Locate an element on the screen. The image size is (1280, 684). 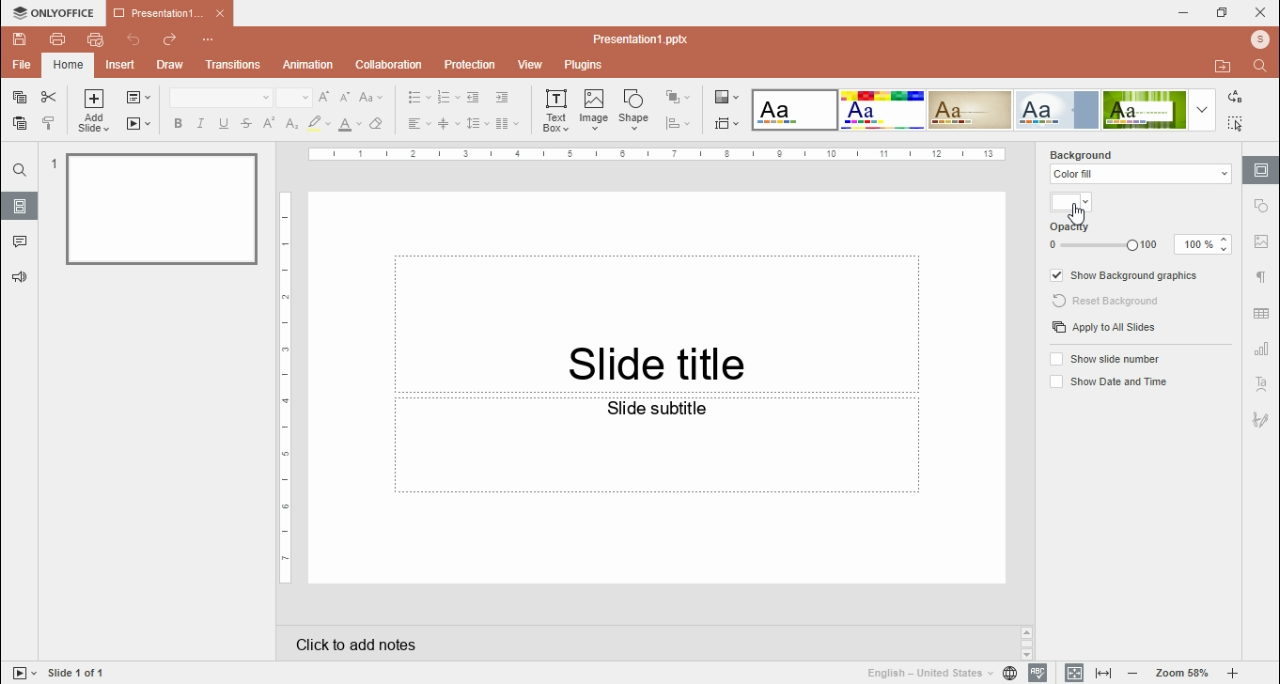
shape is located at coordinates (634, 111).